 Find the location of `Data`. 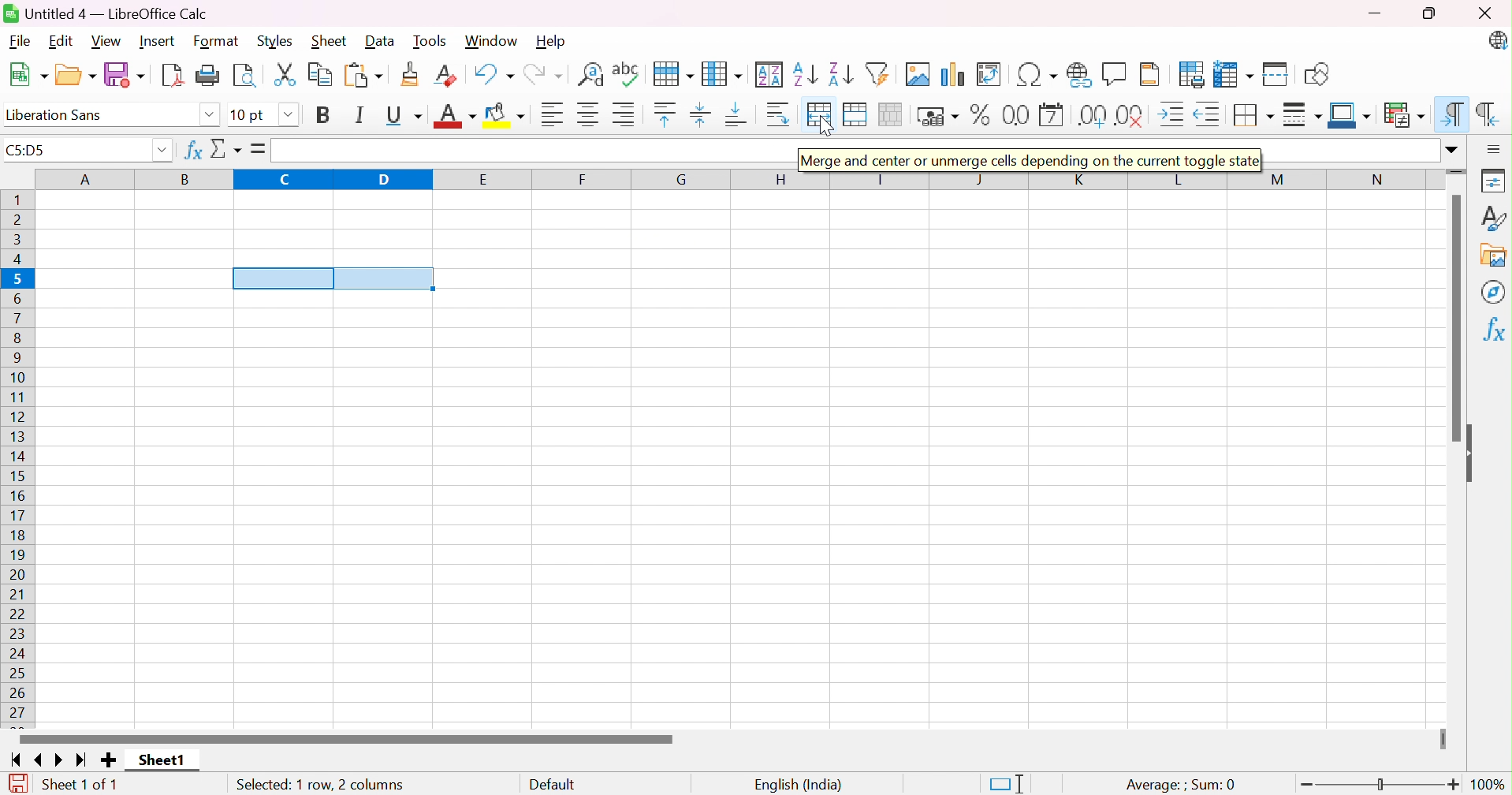

Data is located at coordinates (382, 40).